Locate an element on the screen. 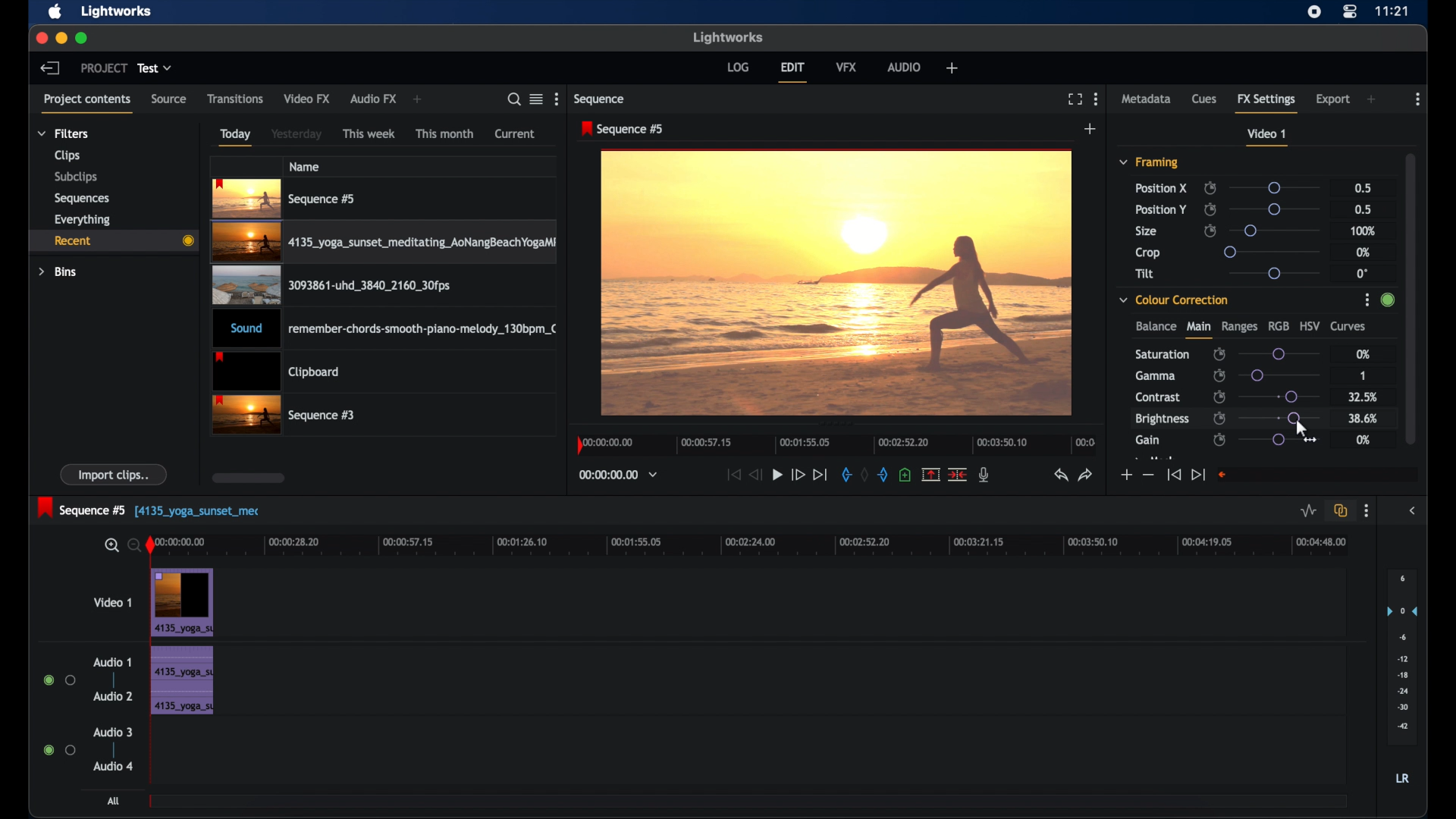 The image size is (1456, 819). jump to start is located at coordinates (732, 474).